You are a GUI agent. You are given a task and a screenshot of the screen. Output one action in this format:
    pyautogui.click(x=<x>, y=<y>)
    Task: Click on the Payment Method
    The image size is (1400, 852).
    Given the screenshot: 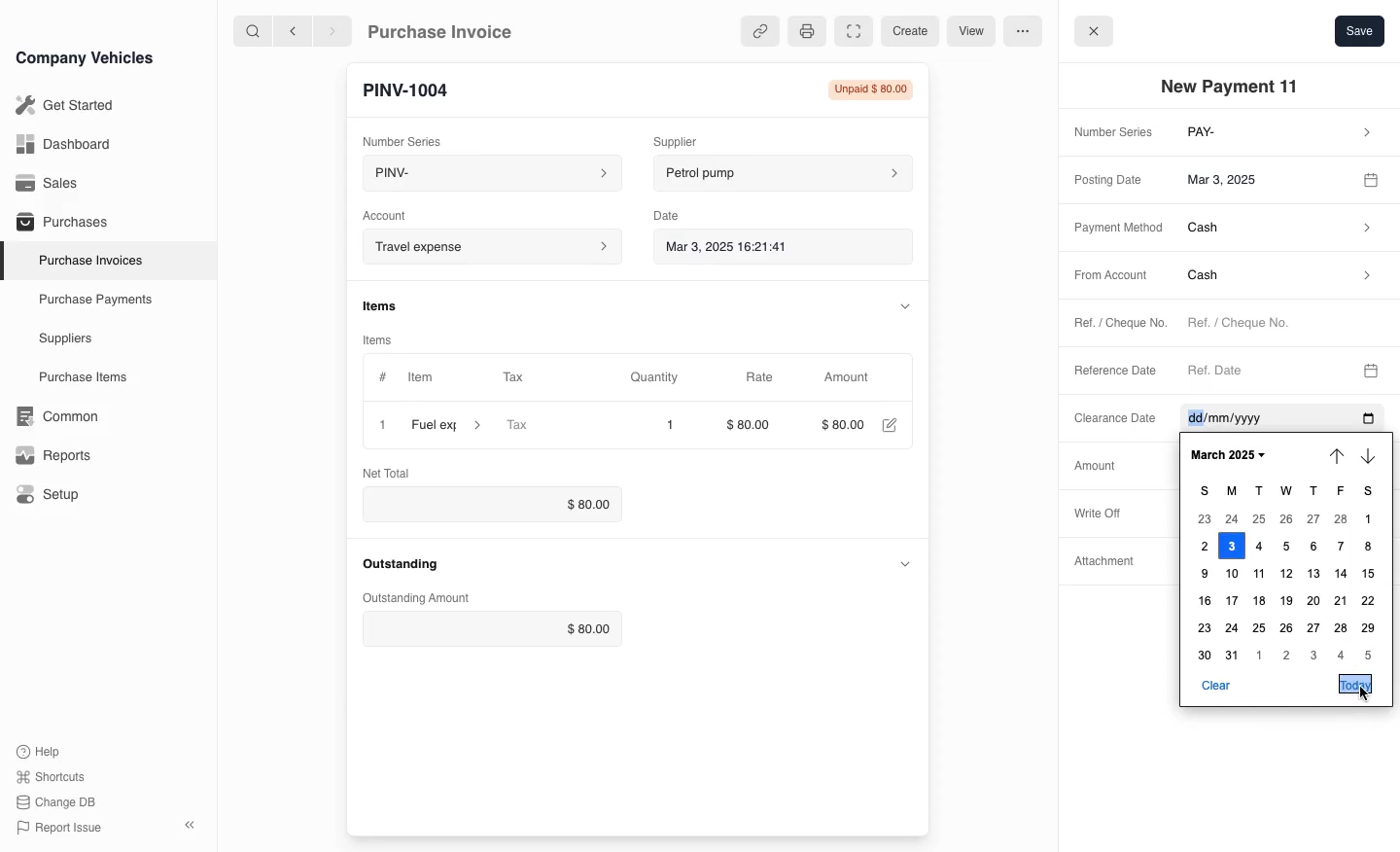 What is the action you would take?
    pyautogui.click(x=1112, y=229)
    